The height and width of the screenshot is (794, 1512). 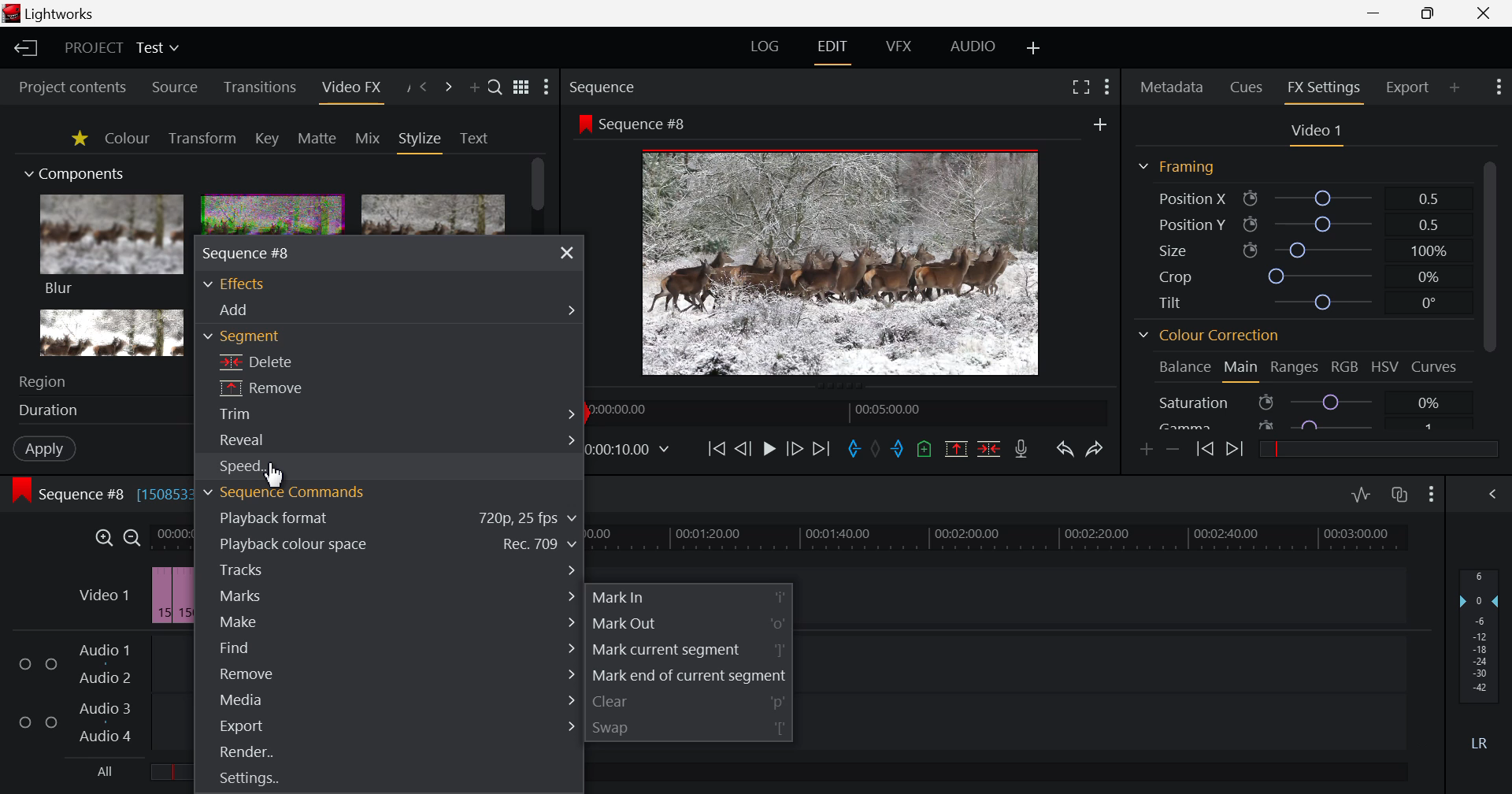 What do you see at coordinates (76, 175) in the screenshot?
I see `Components` at bounding box center [76, 175].